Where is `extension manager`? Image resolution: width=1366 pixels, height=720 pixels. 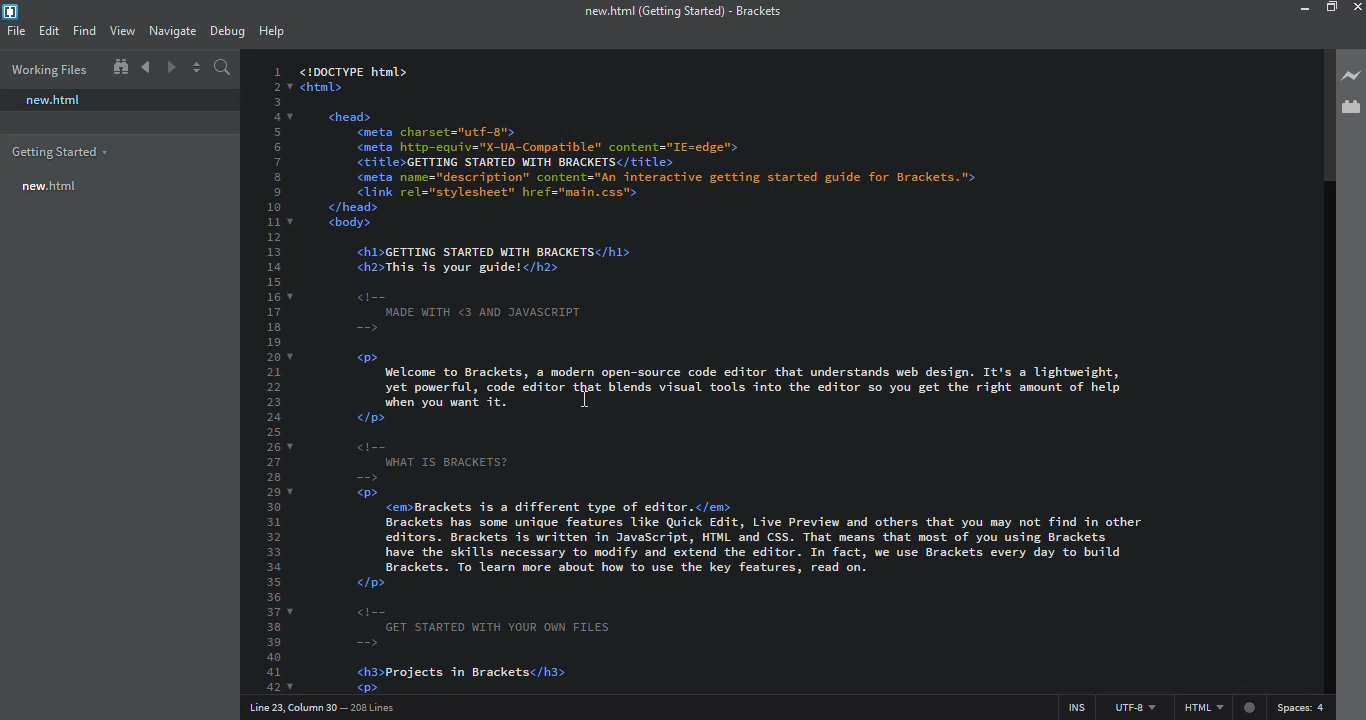
extension manager is located at coordinates (1350, 107).